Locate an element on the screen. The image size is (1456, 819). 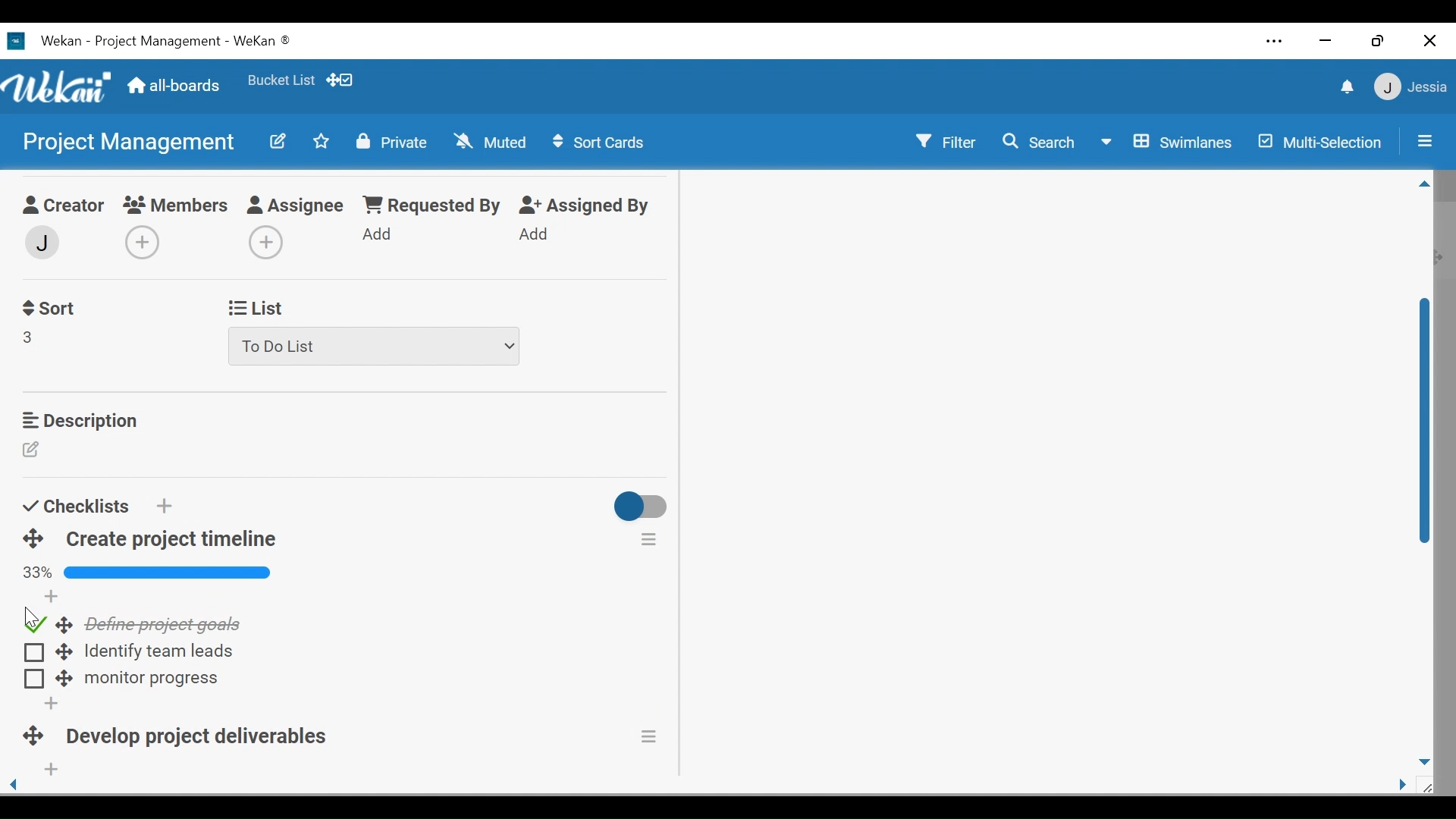
add is located at coordinates (61, 707).